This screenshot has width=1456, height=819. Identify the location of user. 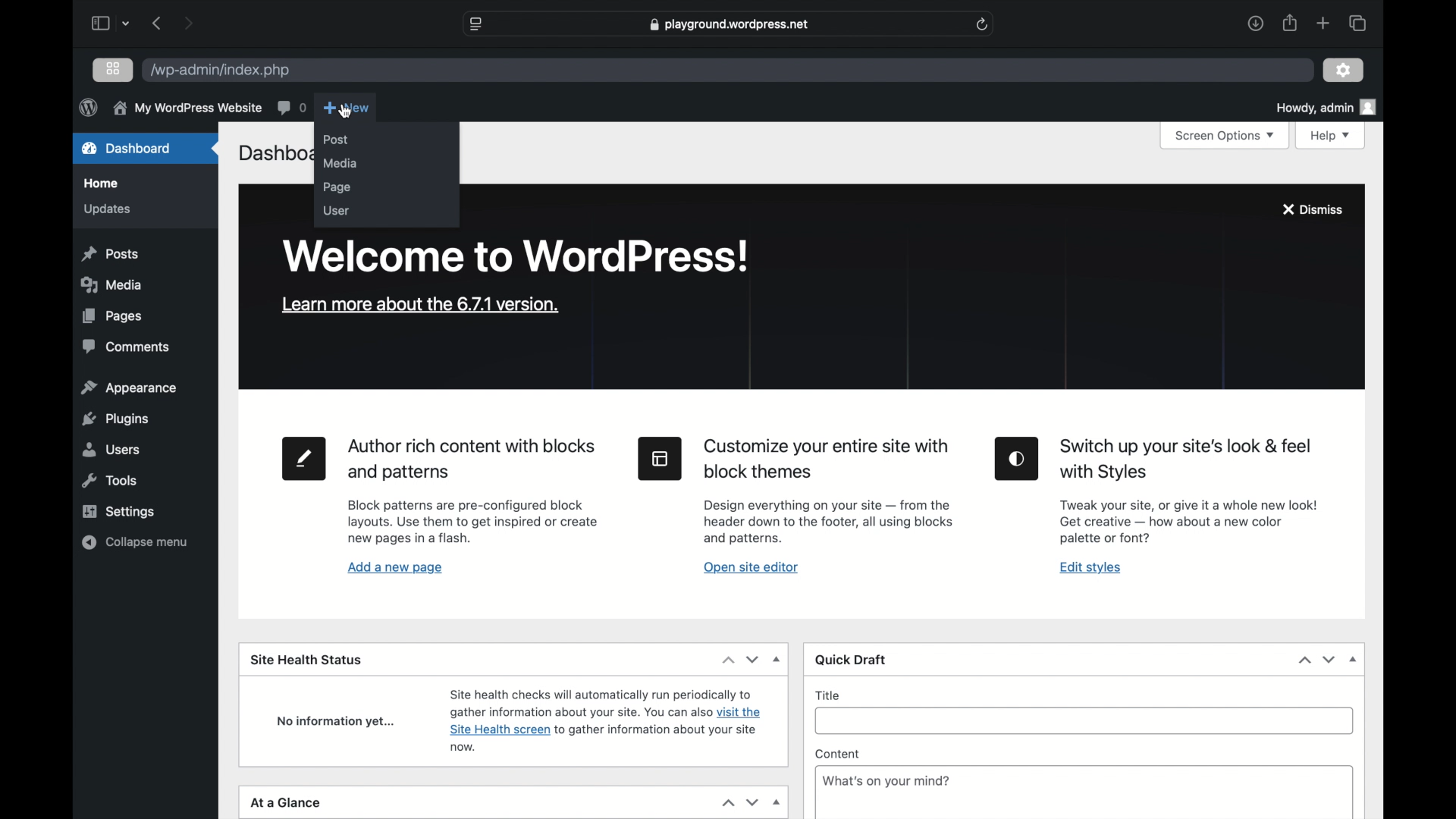
(336, 209).